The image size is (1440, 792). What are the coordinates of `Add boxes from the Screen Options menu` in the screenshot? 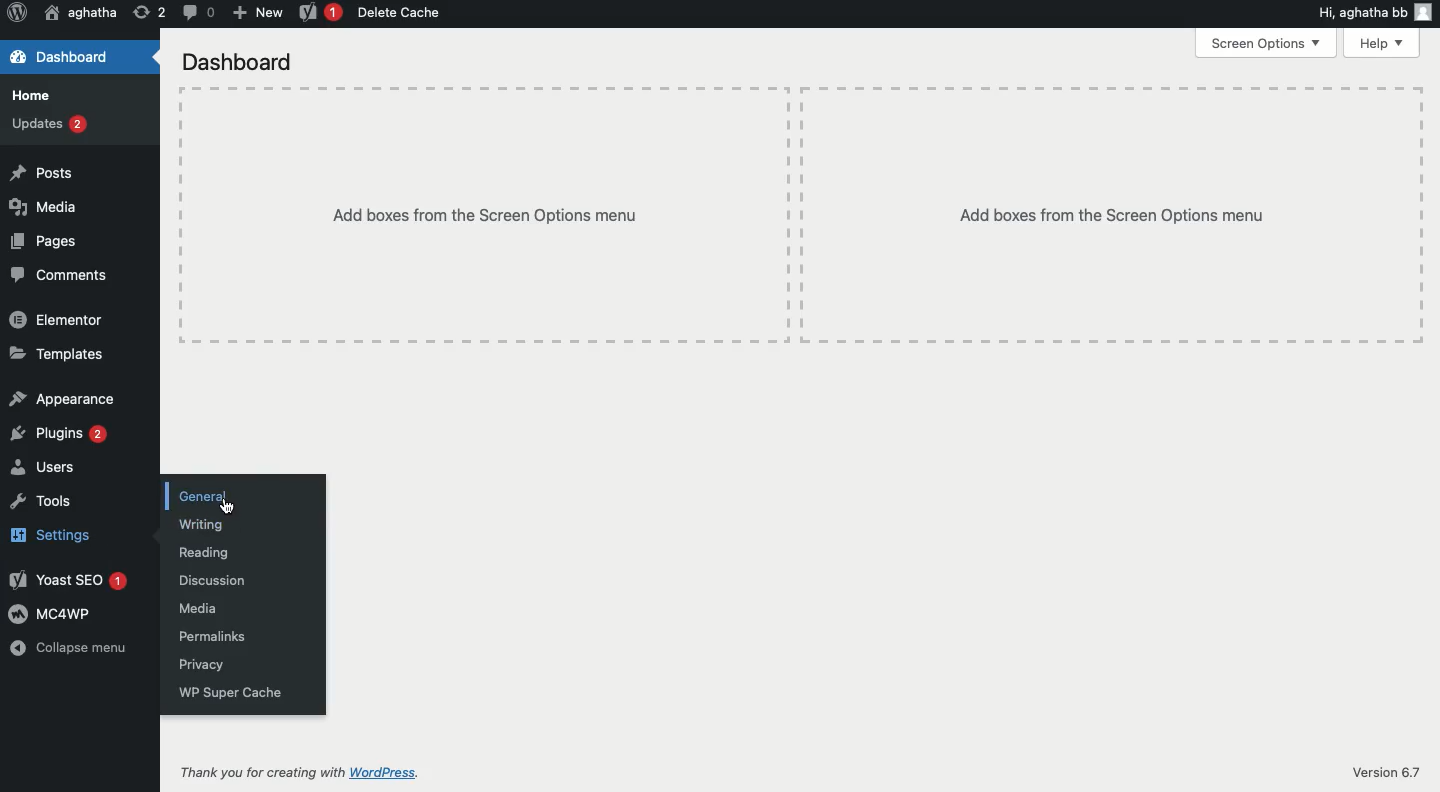 It's located at (1113, 217).